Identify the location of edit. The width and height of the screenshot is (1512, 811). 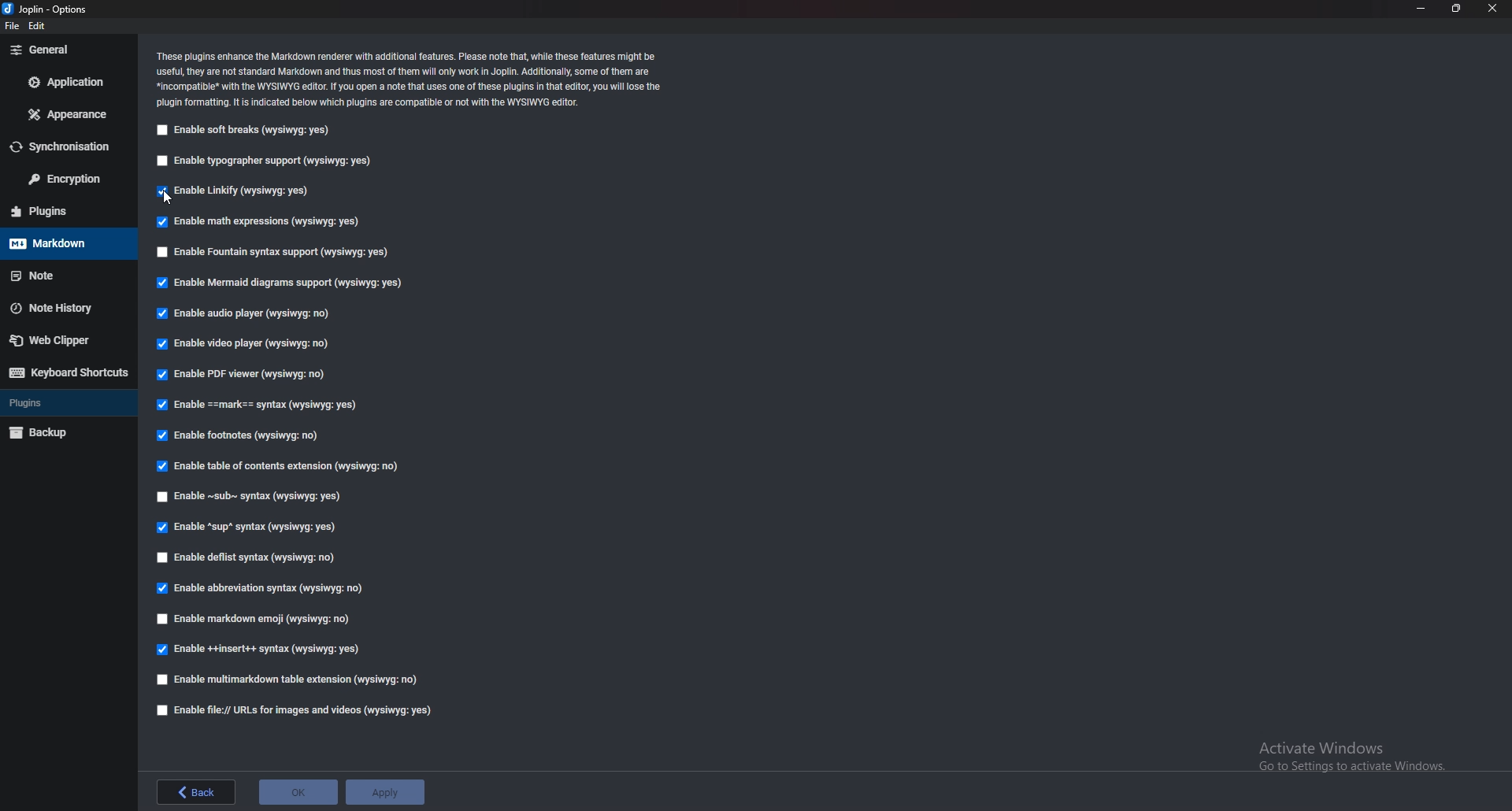
(39, 24).